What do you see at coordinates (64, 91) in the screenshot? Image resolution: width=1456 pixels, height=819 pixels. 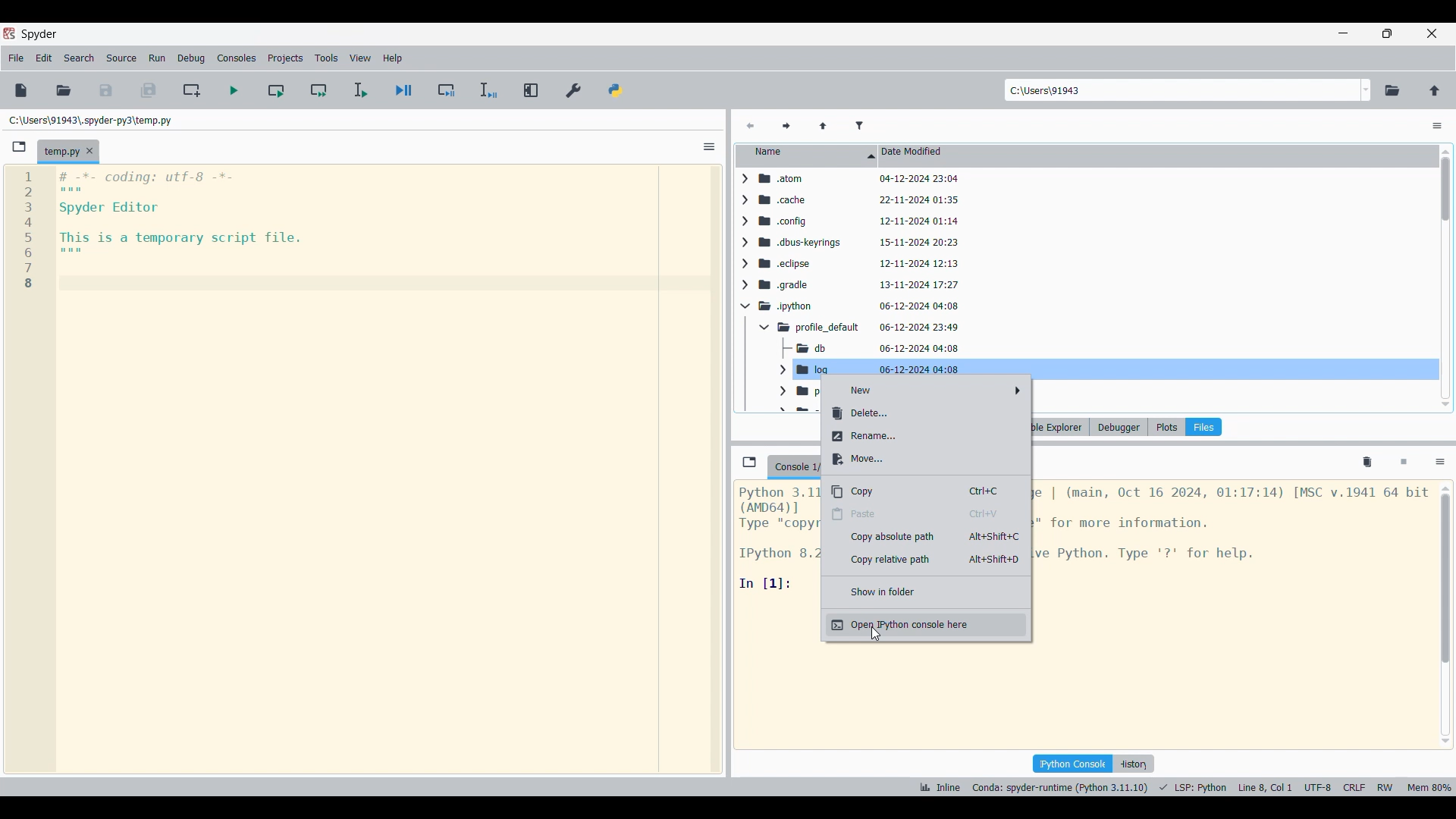 I see `Open file` at bounding box center [64, 91].